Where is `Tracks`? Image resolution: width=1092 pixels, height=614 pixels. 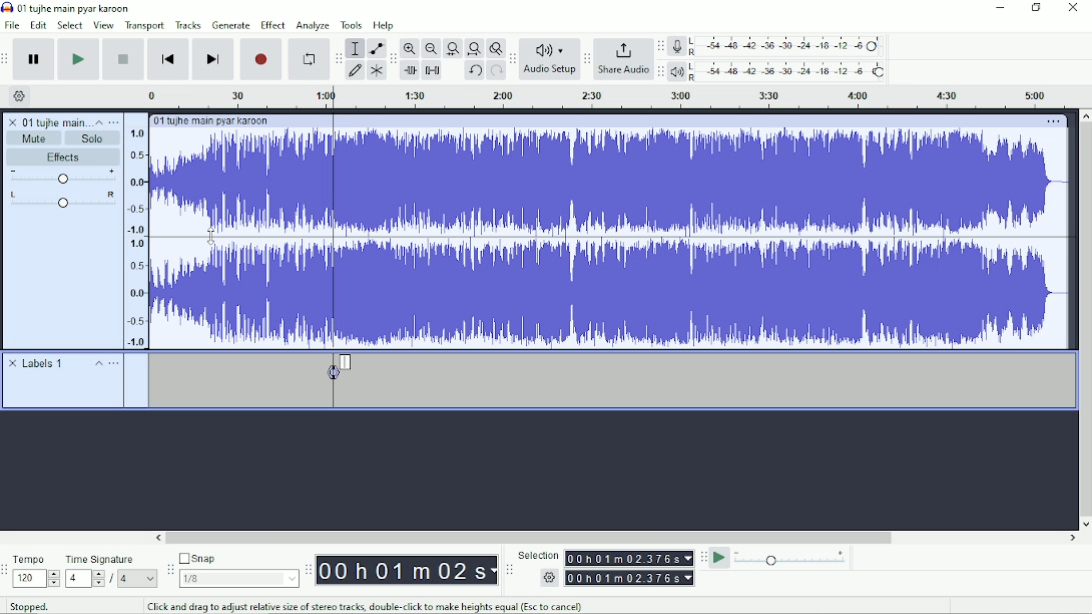 Tracks is located at coordinates (189, 25).